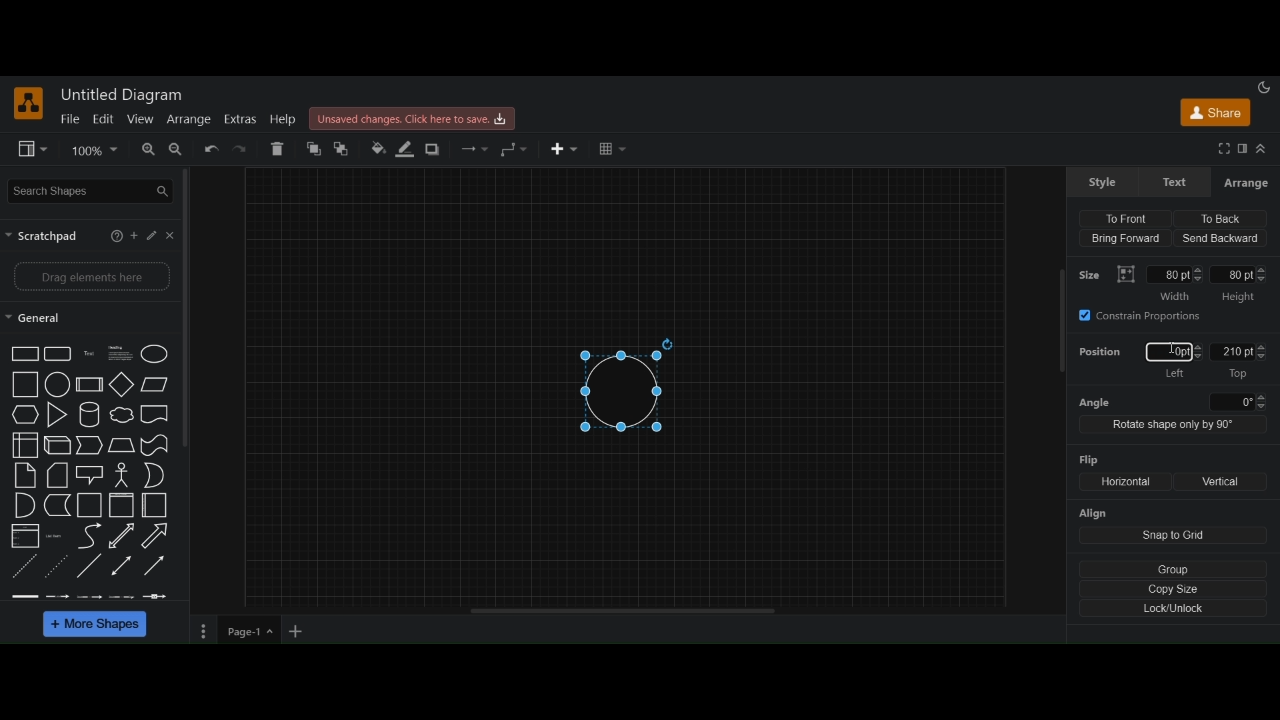 This screenshot has width=1280, height=720. Describe the element at coordinates (91, 416) in the screenshot. I see `Cylinder` at that location.